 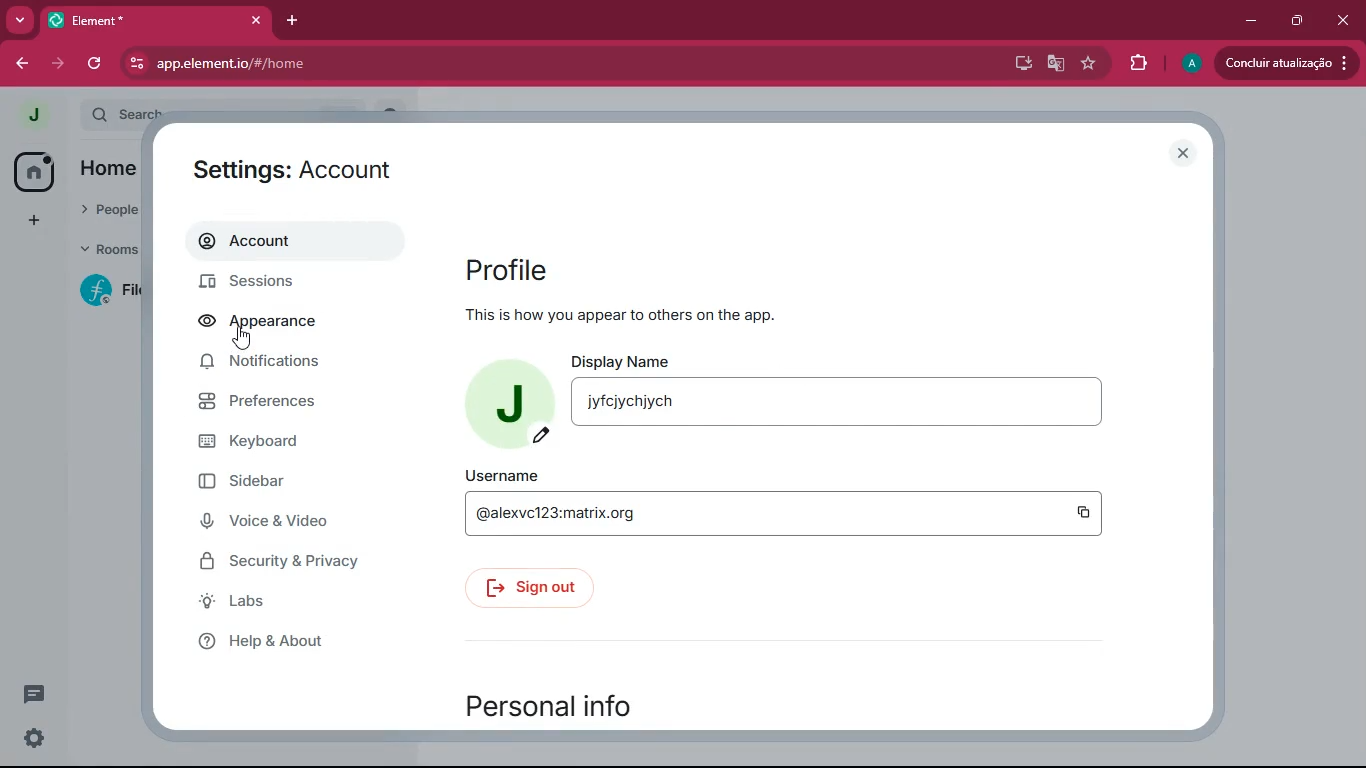 What do you see at coordinates (283, 443) in the screenshot?
I see `keyboard` at bounding box center [283, 443].